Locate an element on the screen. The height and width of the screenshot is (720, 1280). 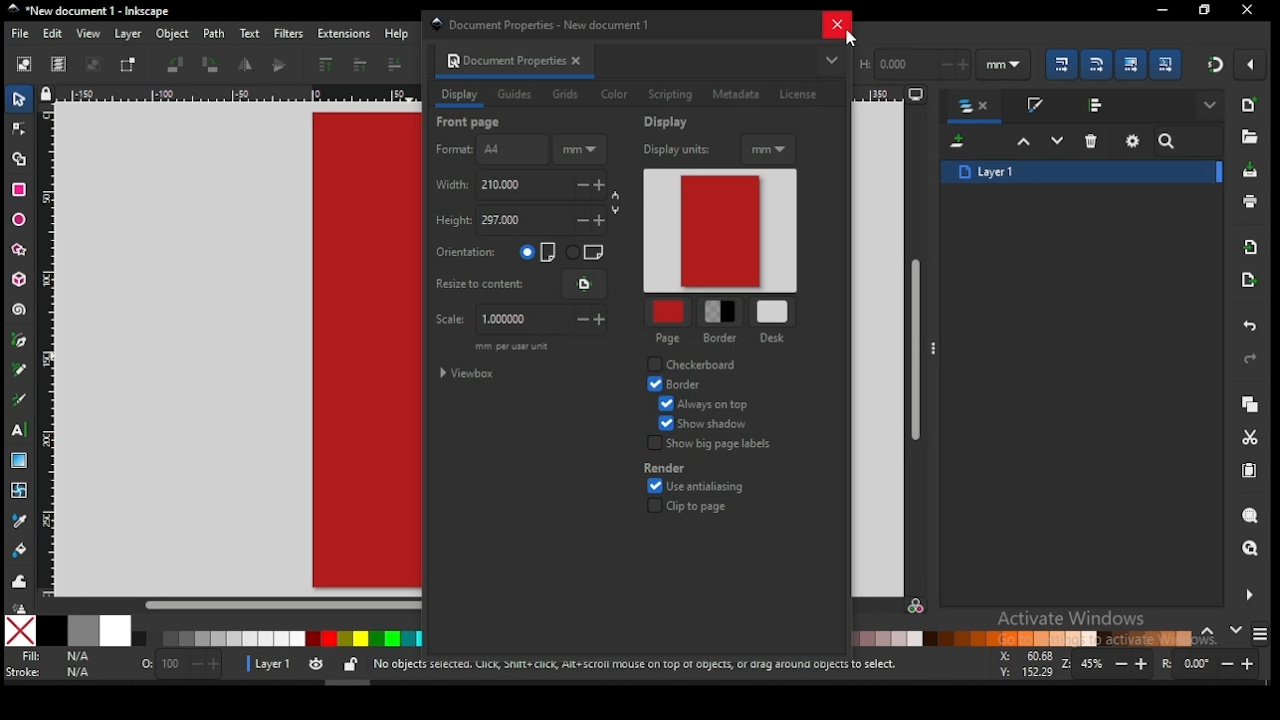
mm per user unit is located at coordinates (512, 348).